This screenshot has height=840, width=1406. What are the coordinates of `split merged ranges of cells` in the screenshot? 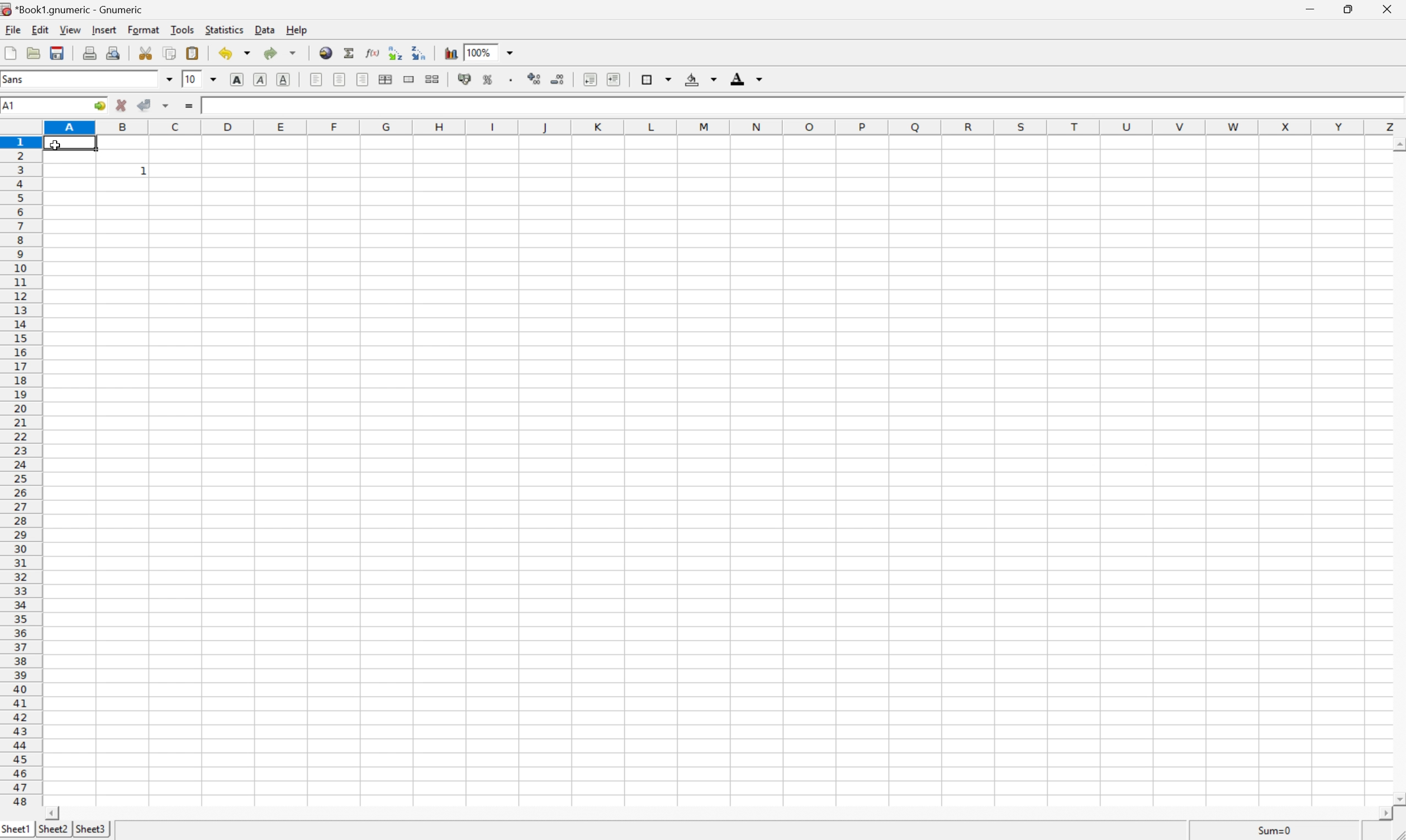 It's located at (434, 78).